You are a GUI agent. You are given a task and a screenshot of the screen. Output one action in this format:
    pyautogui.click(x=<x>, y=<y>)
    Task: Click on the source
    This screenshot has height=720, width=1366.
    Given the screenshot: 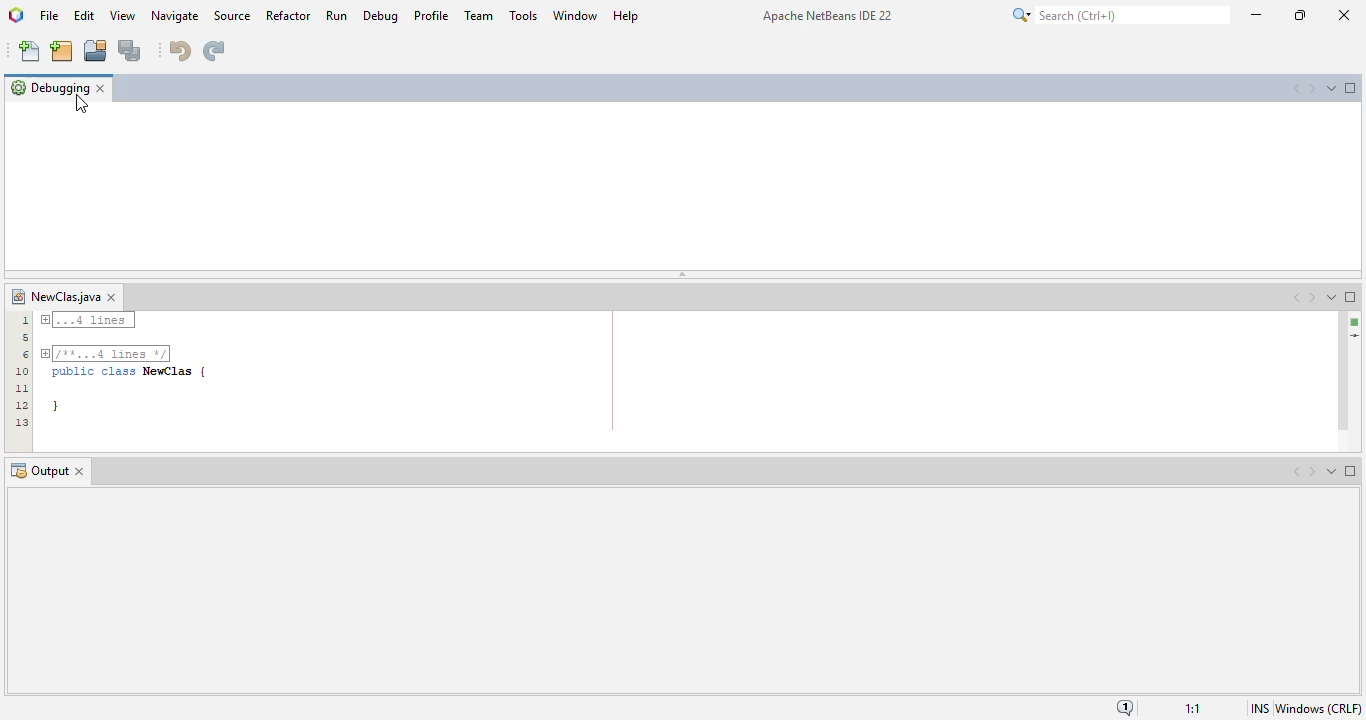 What is the action you would take?
    pyautogui.click(x=232, y=15)
    